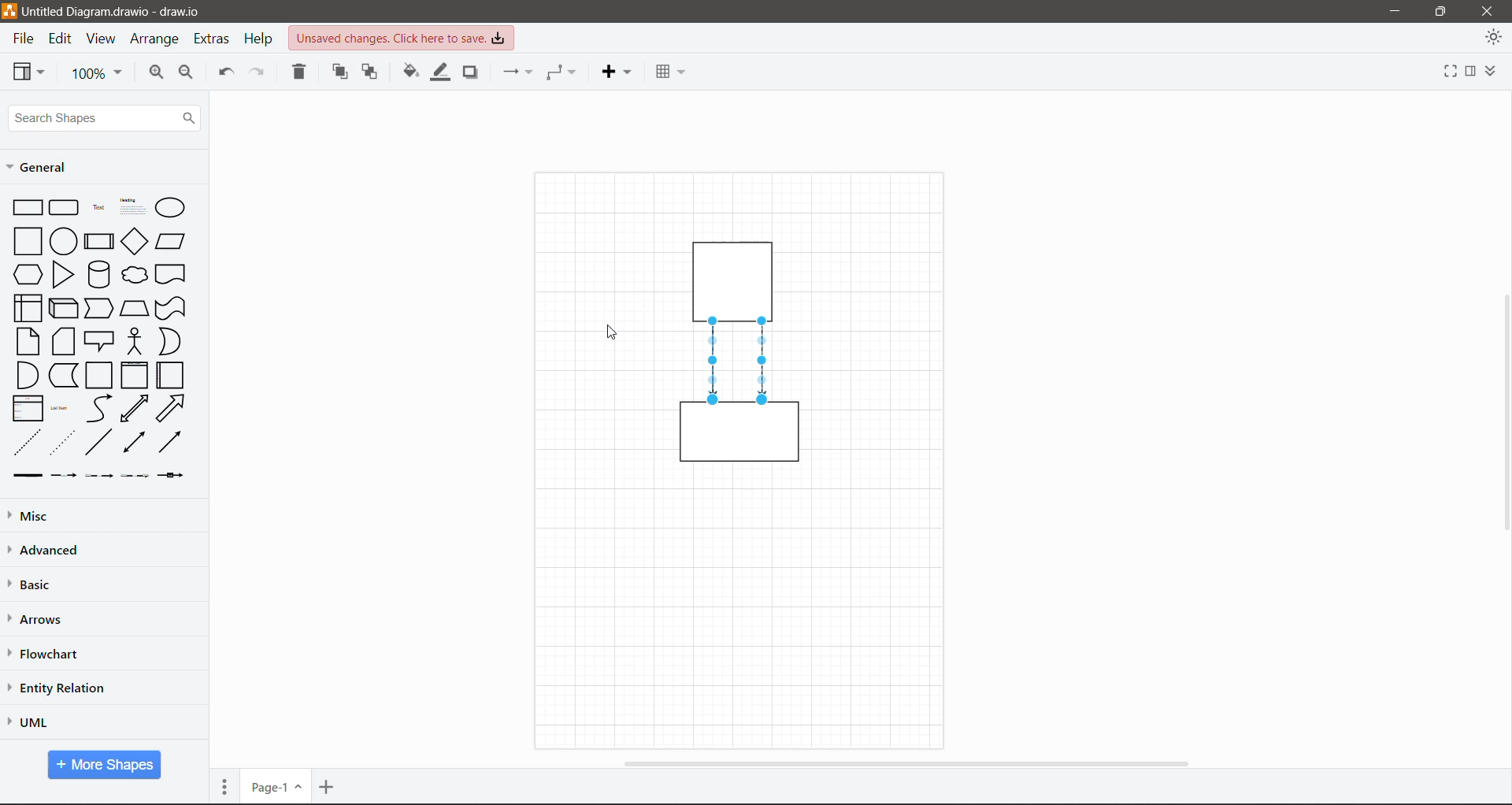 The width and height of the screenshot is (1512, 805). Describe the element at coordinates (63, 274) in the screenshot. I see `Triangle` at that location.